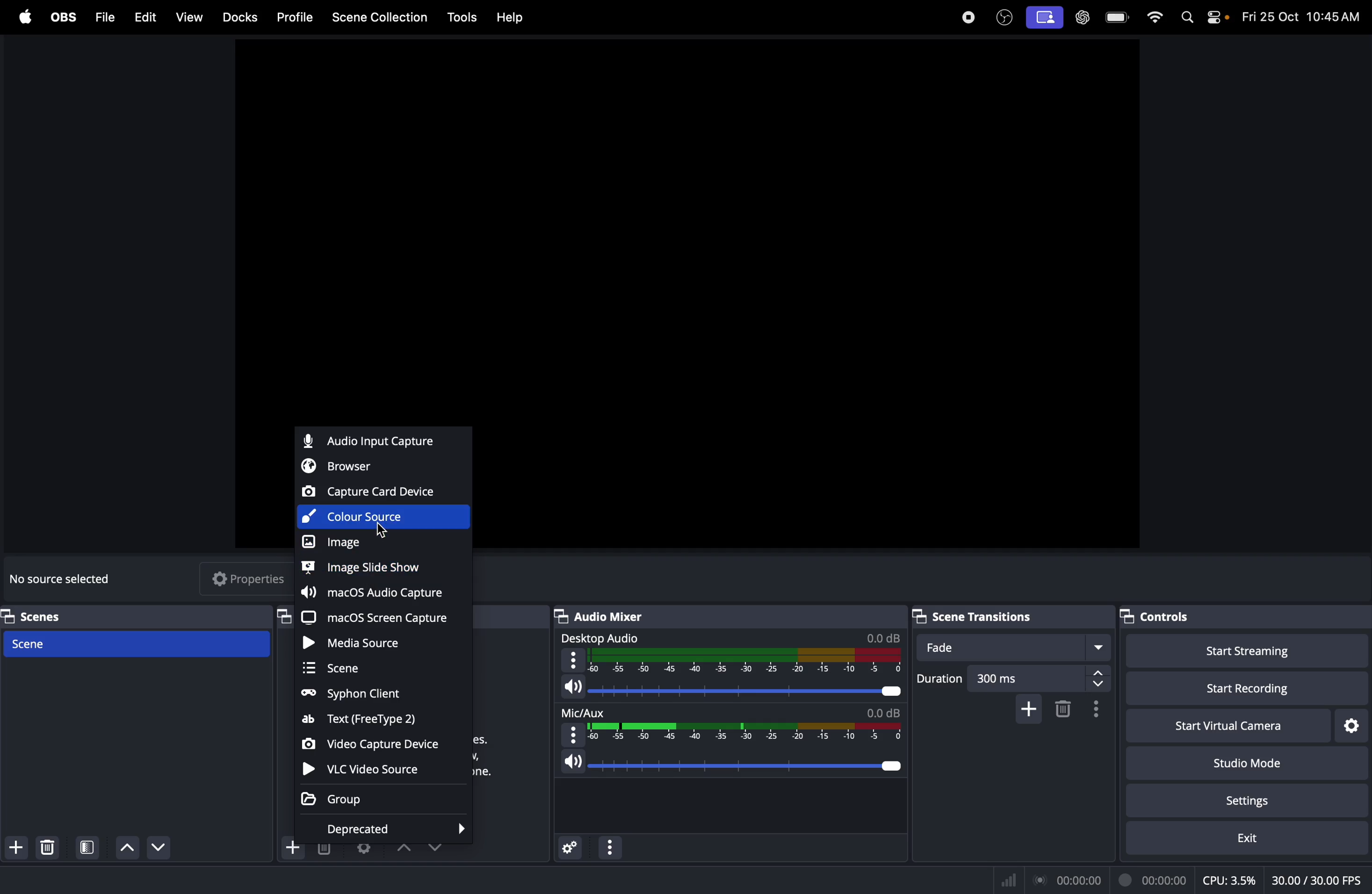 This screenshot has height=894, width=1372. Describe the element at coordinates (385, 824) in the screenshot. I see `deprecated` at that location.